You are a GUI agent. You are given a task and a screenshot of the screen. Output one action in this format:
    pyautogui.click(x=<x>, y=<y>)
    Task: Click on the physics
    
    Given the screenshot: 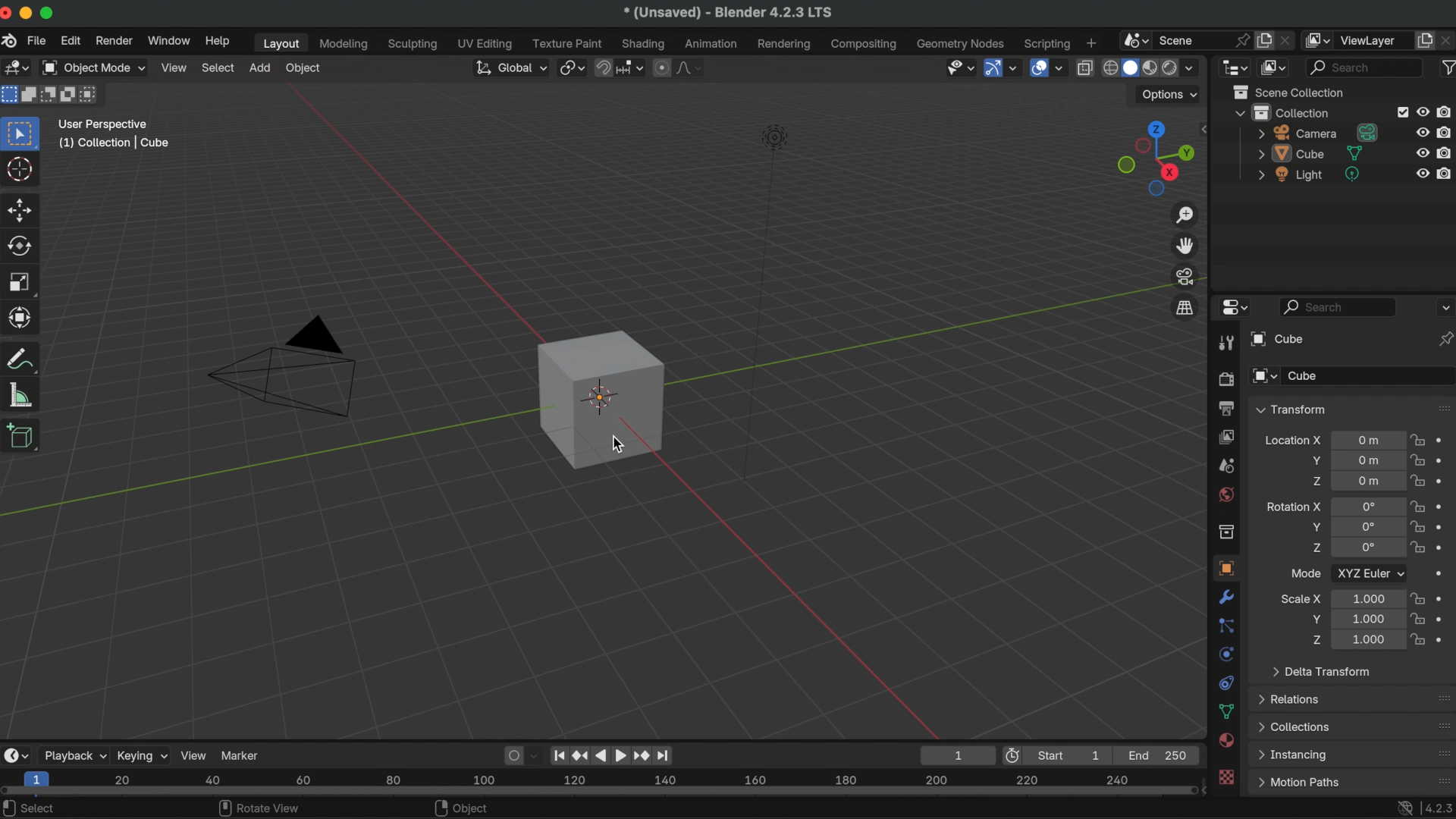 What is the action you would take?
    pyautogui.click(x=1225, y=654)
    